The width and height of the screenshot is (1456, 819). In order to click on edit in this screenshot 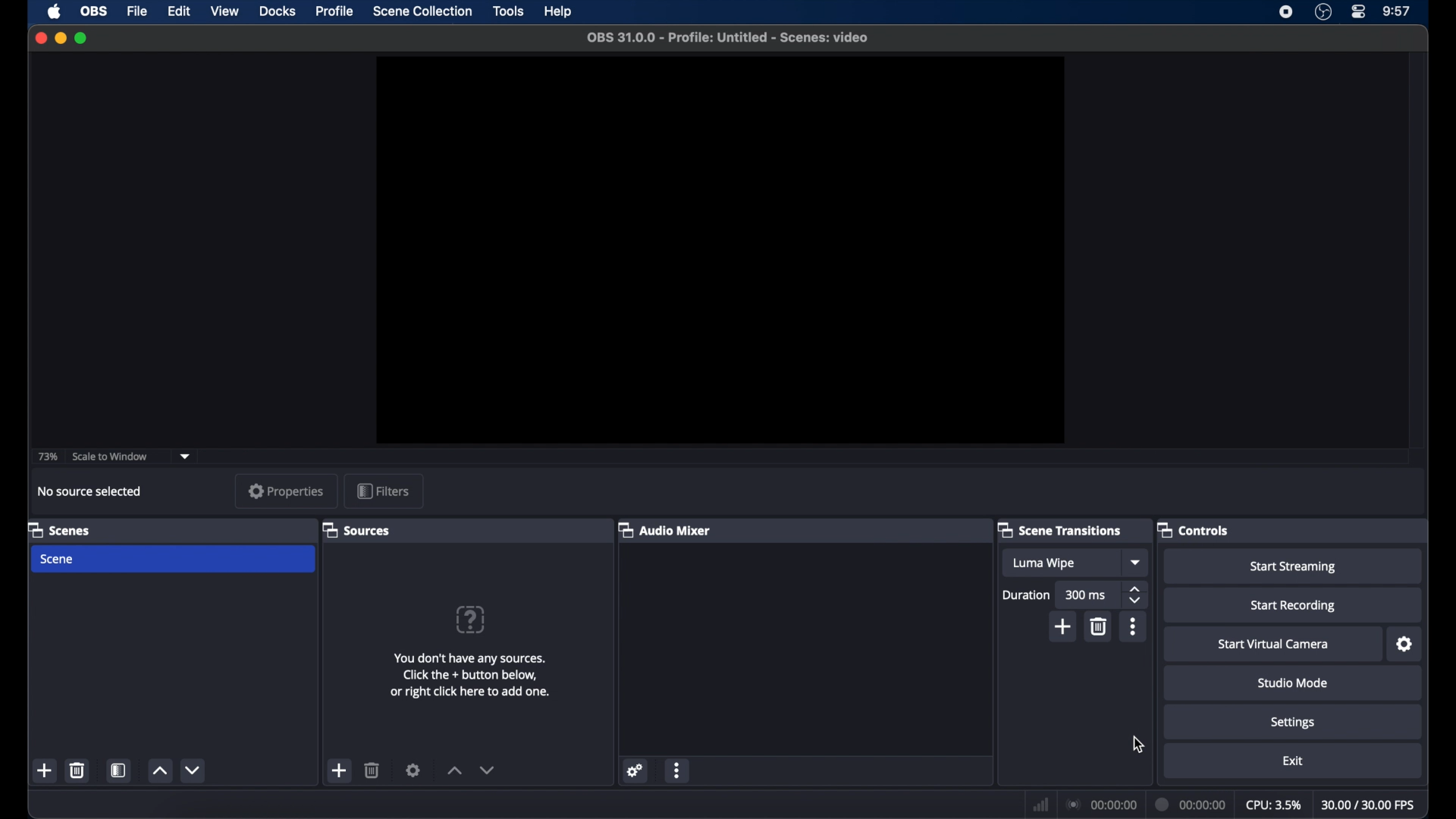, I will do `click(179, 12)`.